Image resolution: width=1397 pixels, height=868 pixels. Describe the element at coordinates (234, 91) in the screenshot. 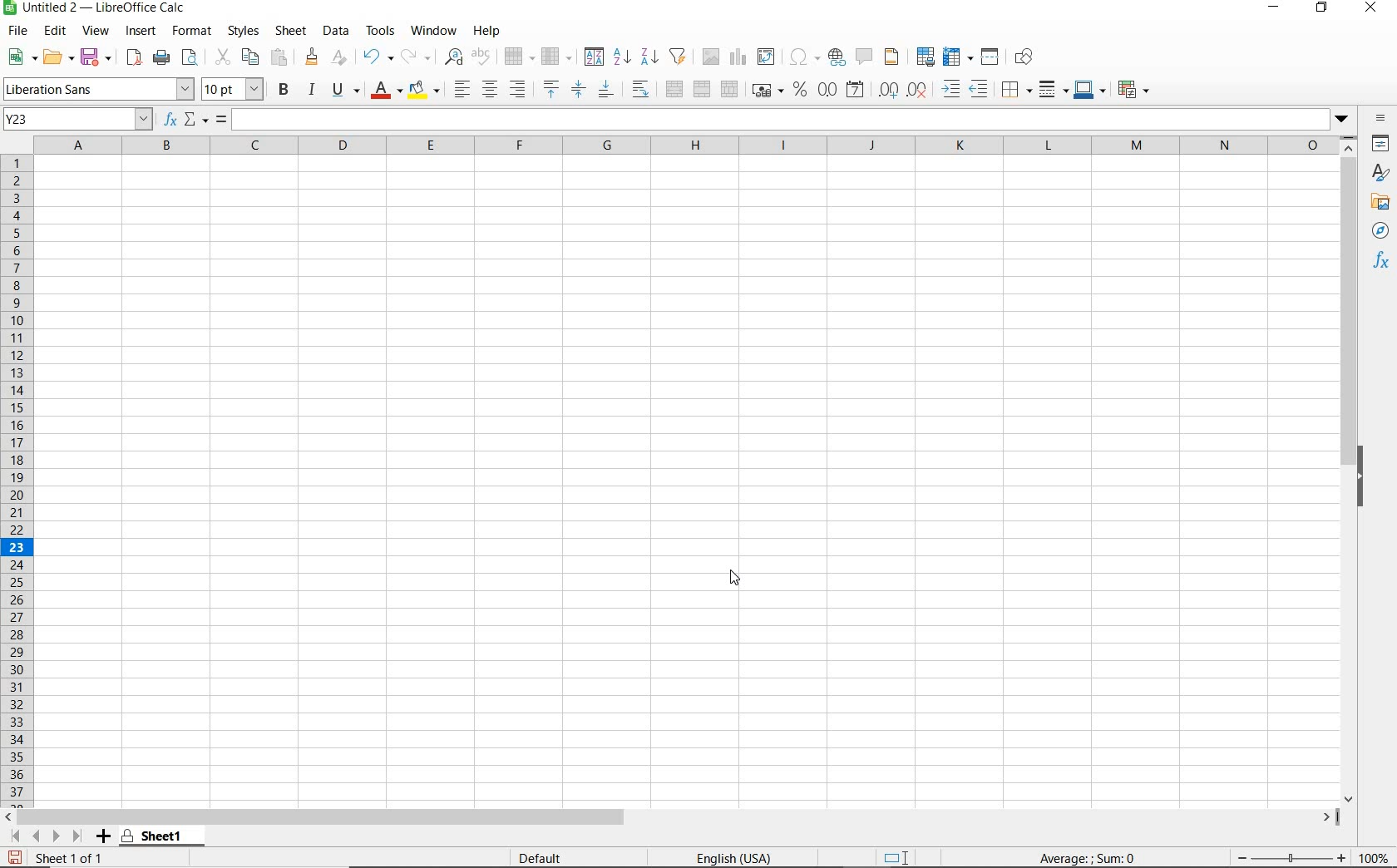

I see `FONT SIZE` at that location.